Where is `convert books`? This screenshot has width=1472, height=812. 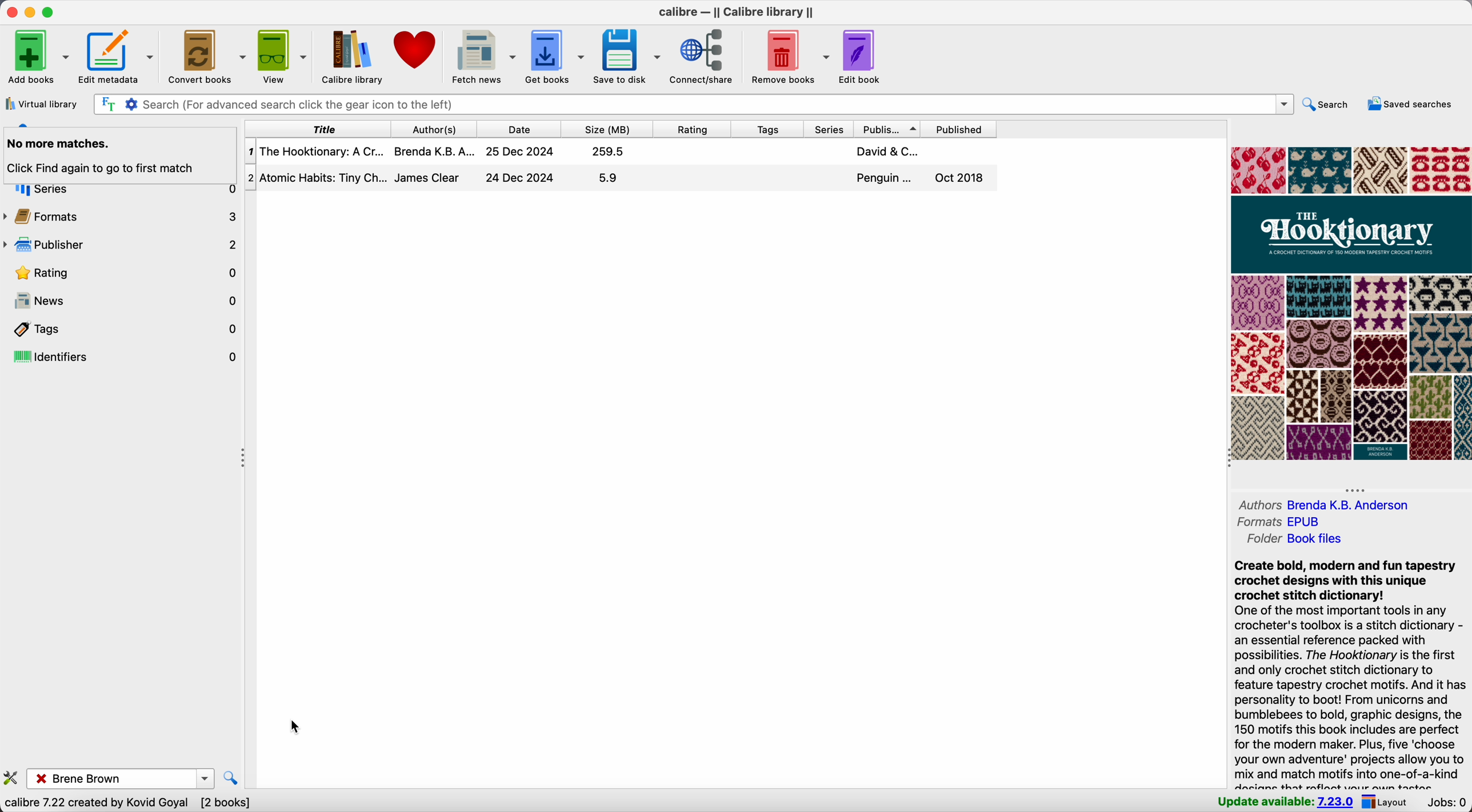 convert books is located at coordinates (208, 56).